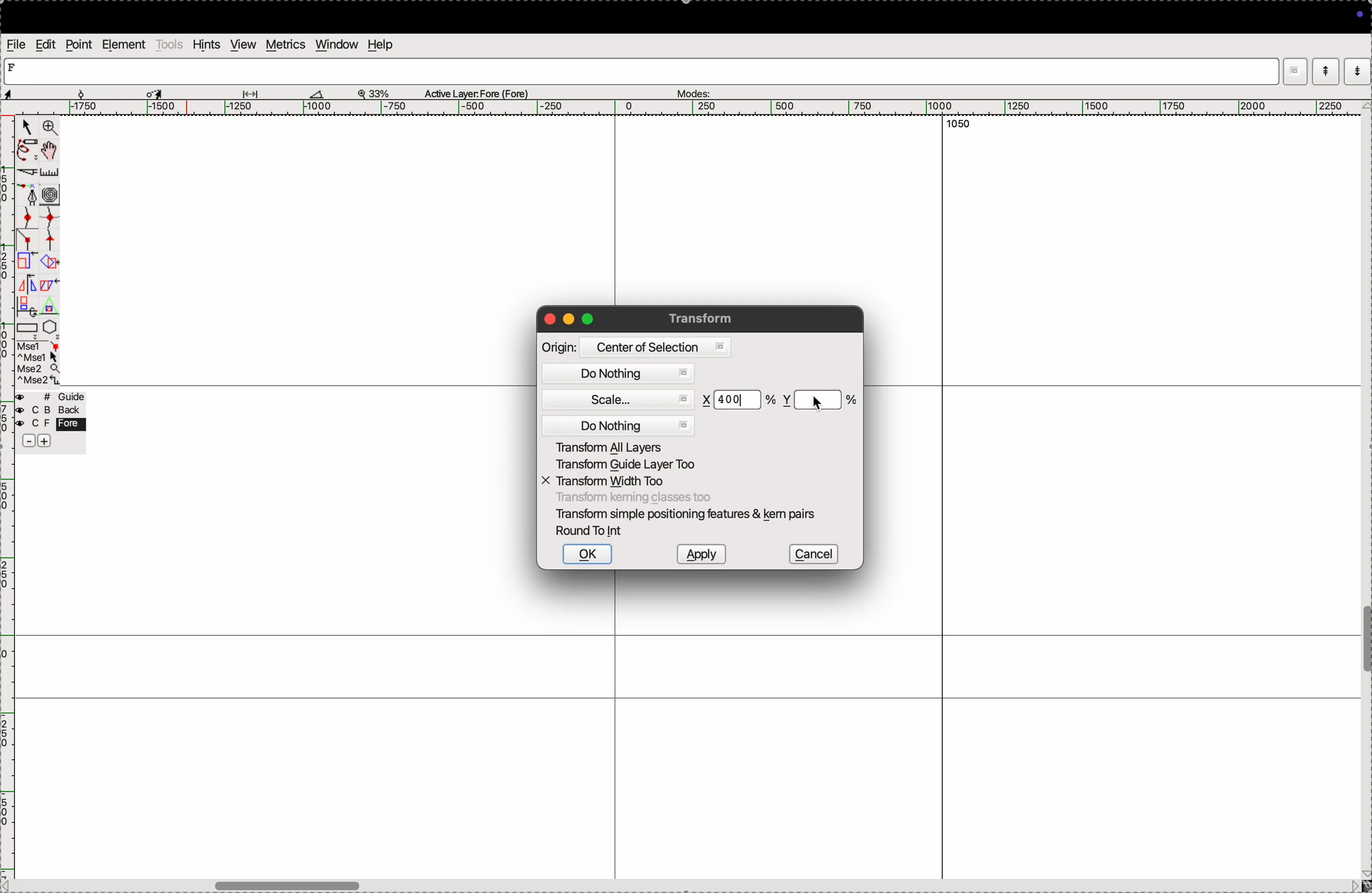 This screenshot has height=893, width=1372. Describe the element at coordinates (570, 320) in the screenshot. I see `minimize` at that location.